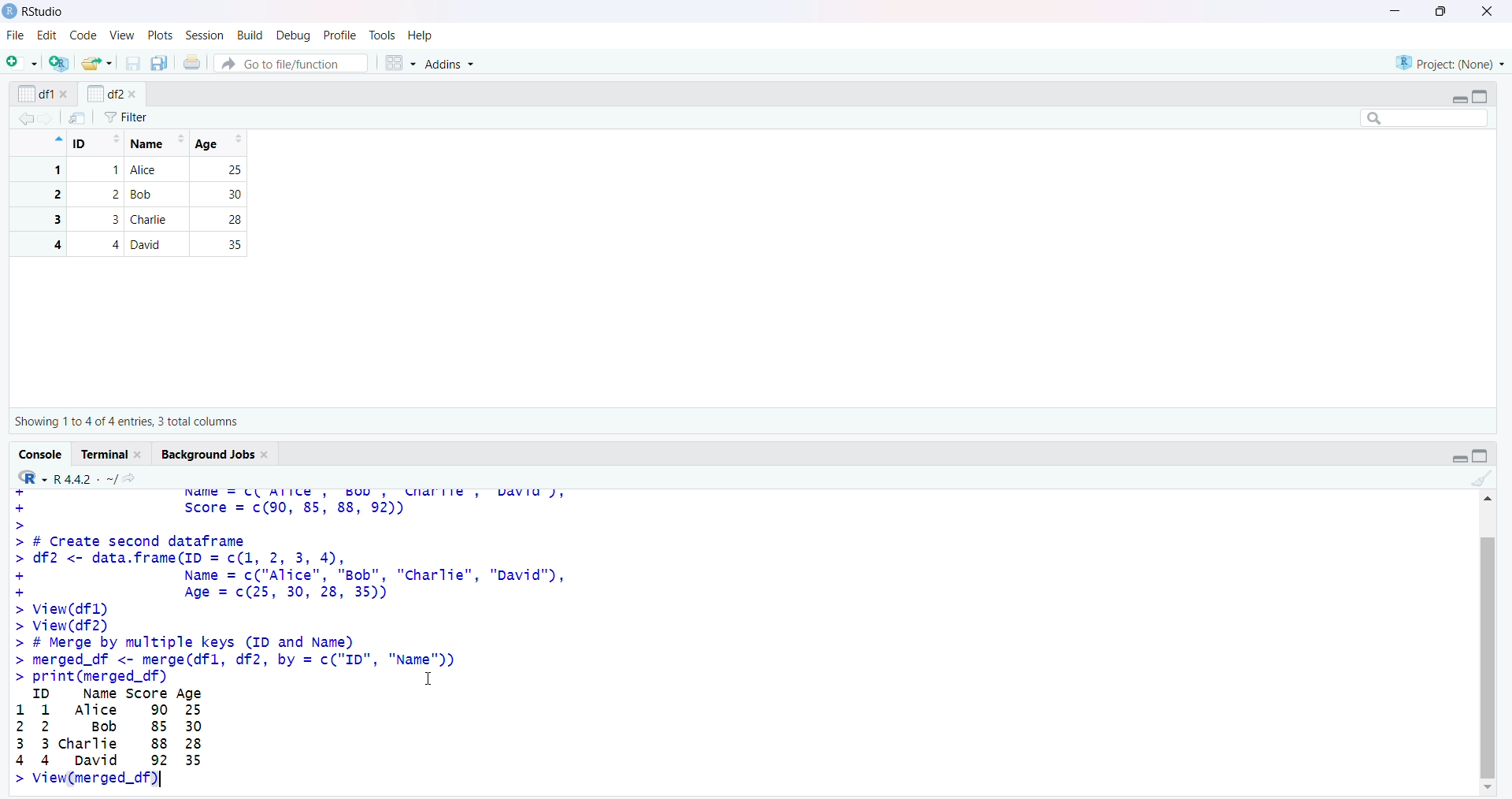 The image size is (1512, 799). What do you see at coordinates (193, 61) in the screenshot?
I see `print` at bounding box center [193, 61].